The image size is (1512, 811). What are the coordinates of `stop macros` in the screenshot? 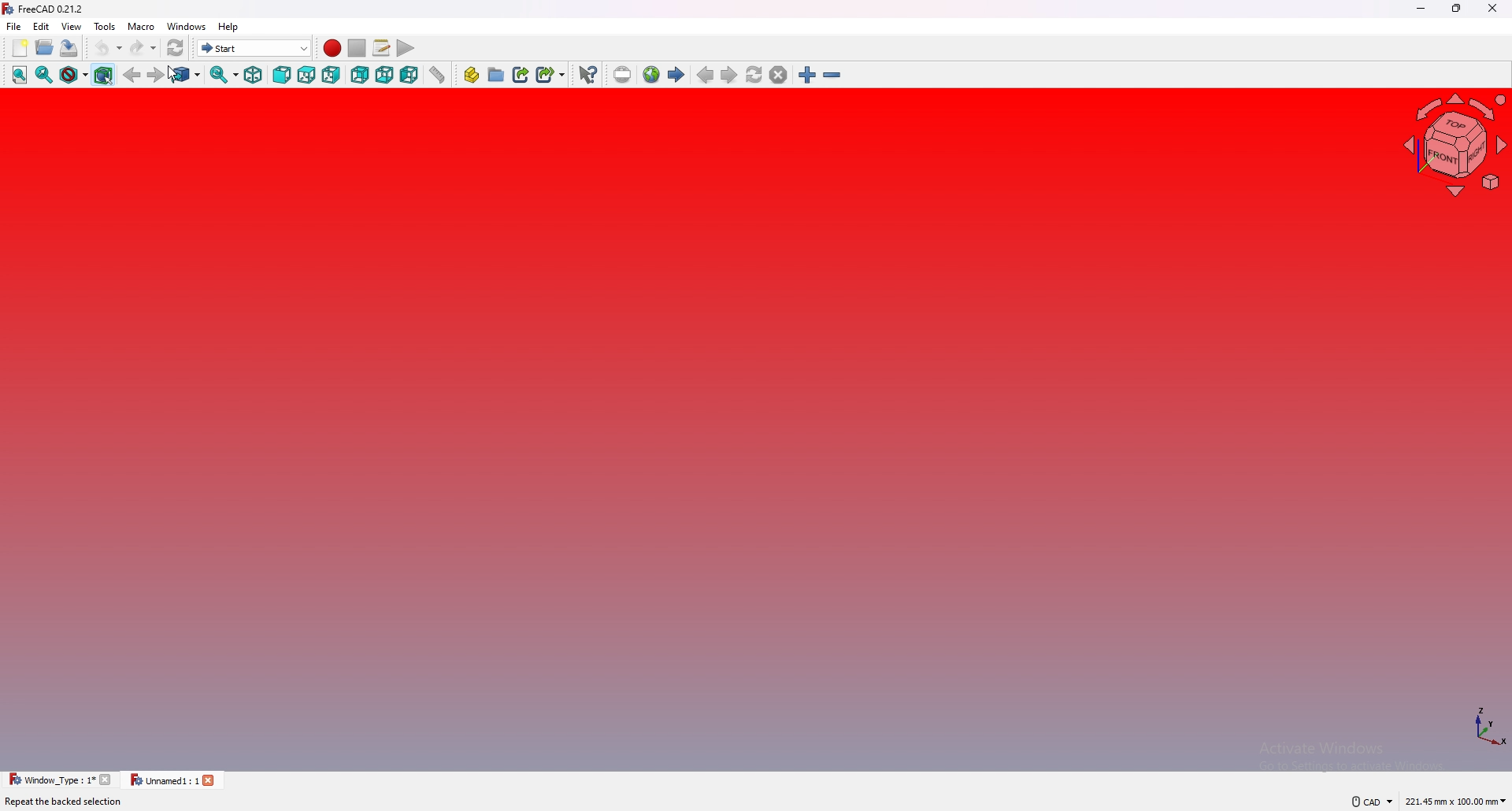 It's located at (358, 48).